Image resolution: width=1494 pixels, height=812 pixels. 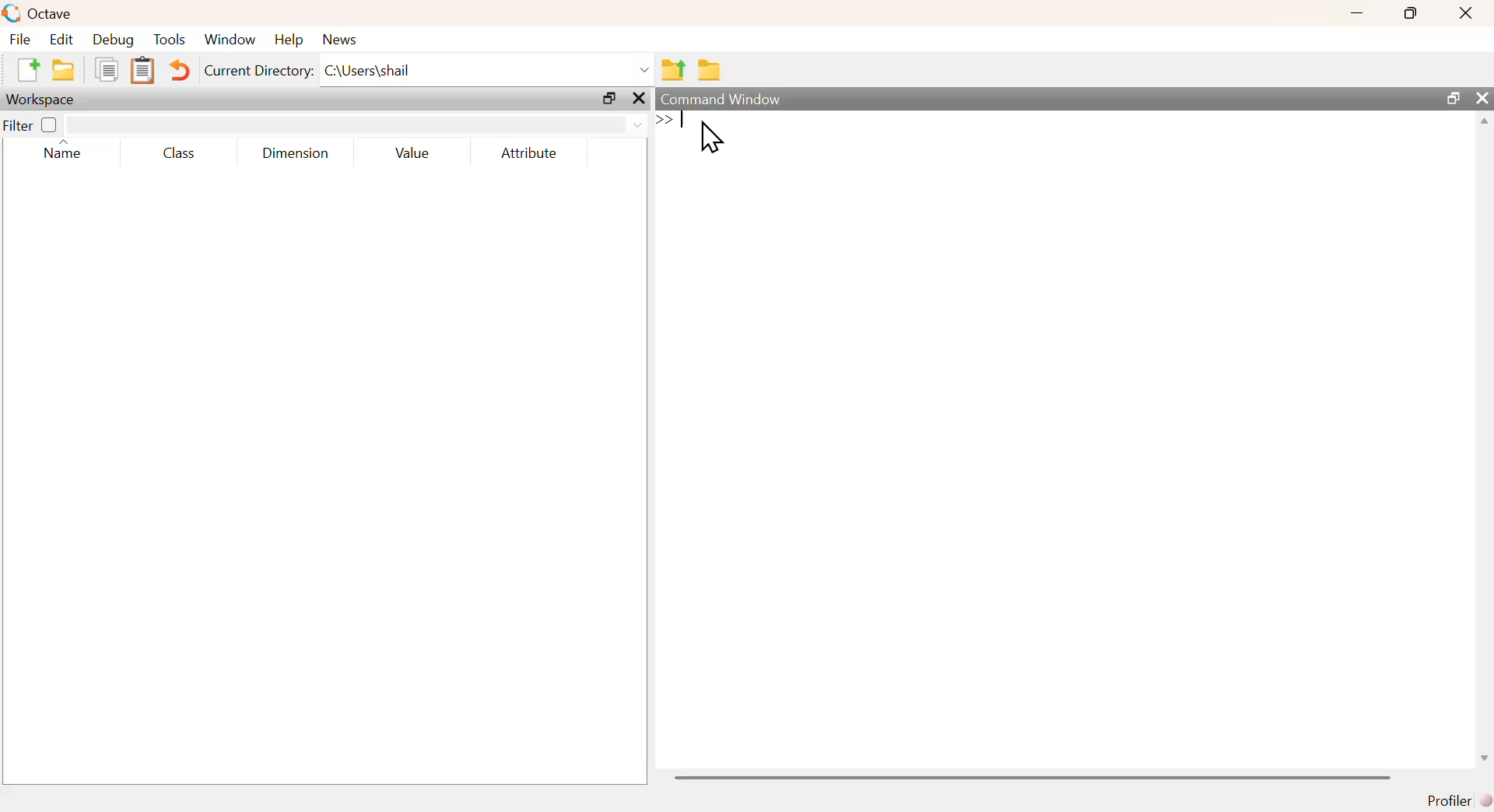 What do you see at coordinates (142, 72) in the screenshot?
I see `paste` at bounding box center [142, 72].